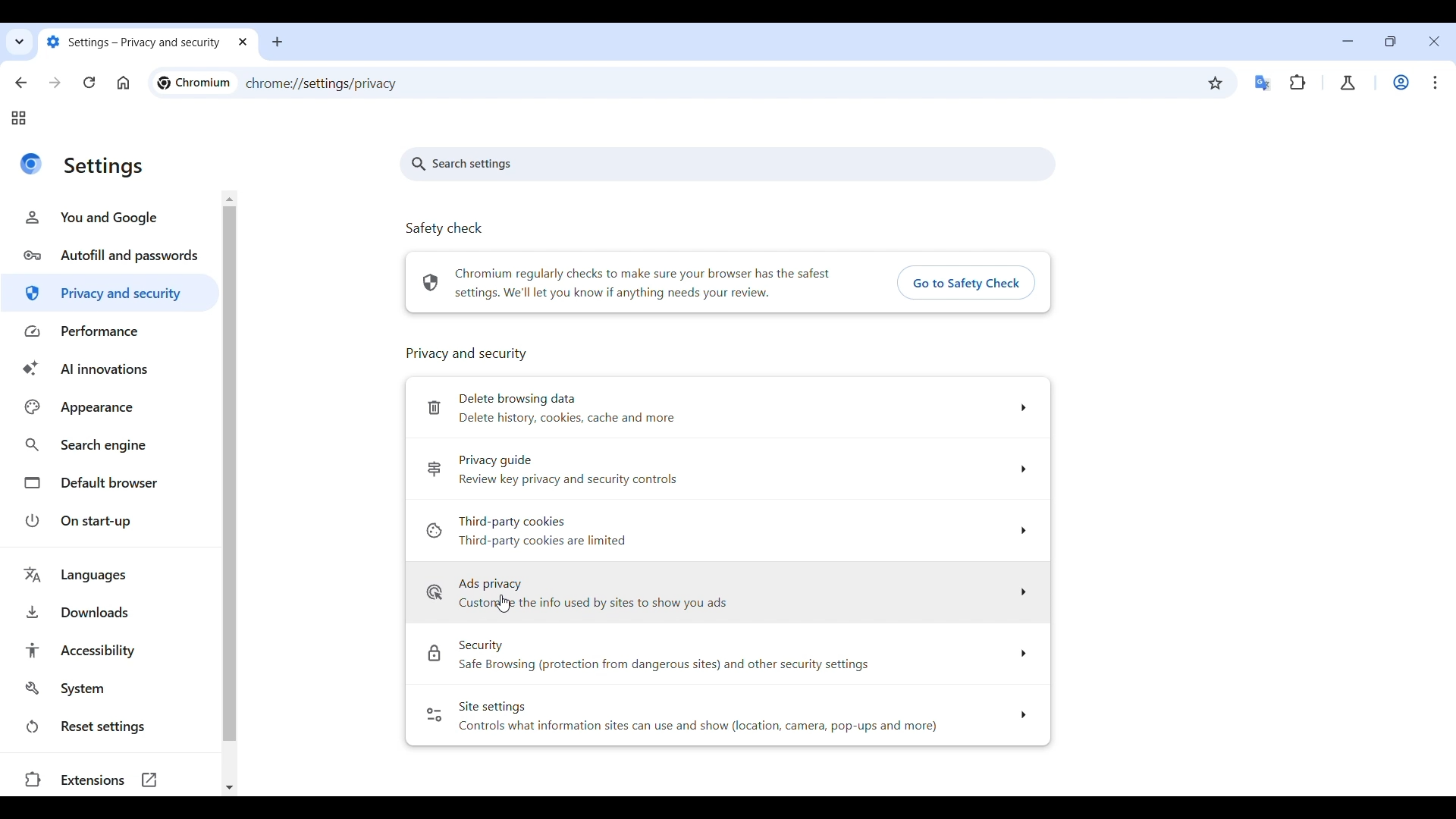  I want to click on Close interface, so click(1435, 41).